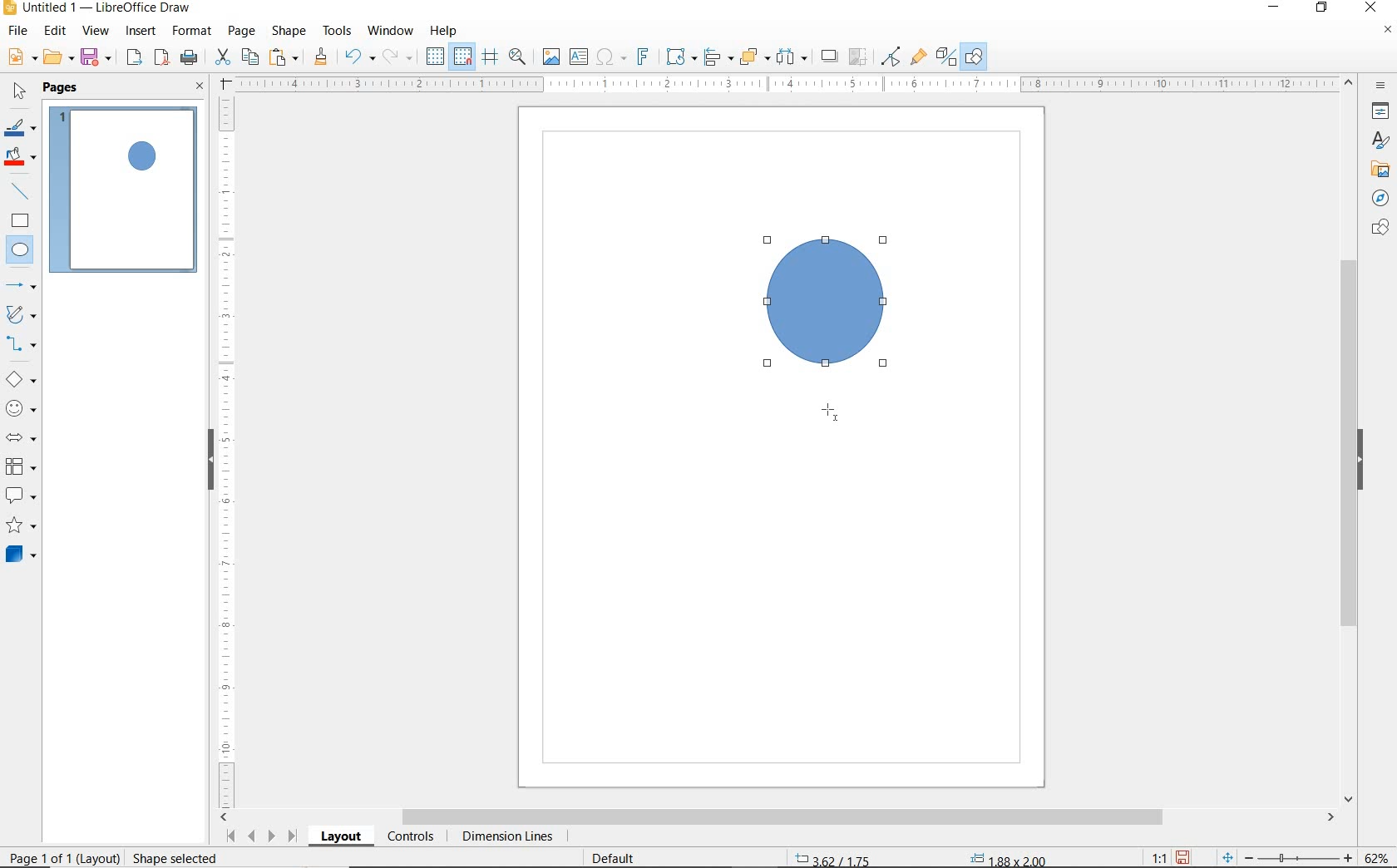 The width and height of the screenshot is (1397, 868). Describe the element at coordinates (19, 33) in the screenshot. I see `FILE` at that location.